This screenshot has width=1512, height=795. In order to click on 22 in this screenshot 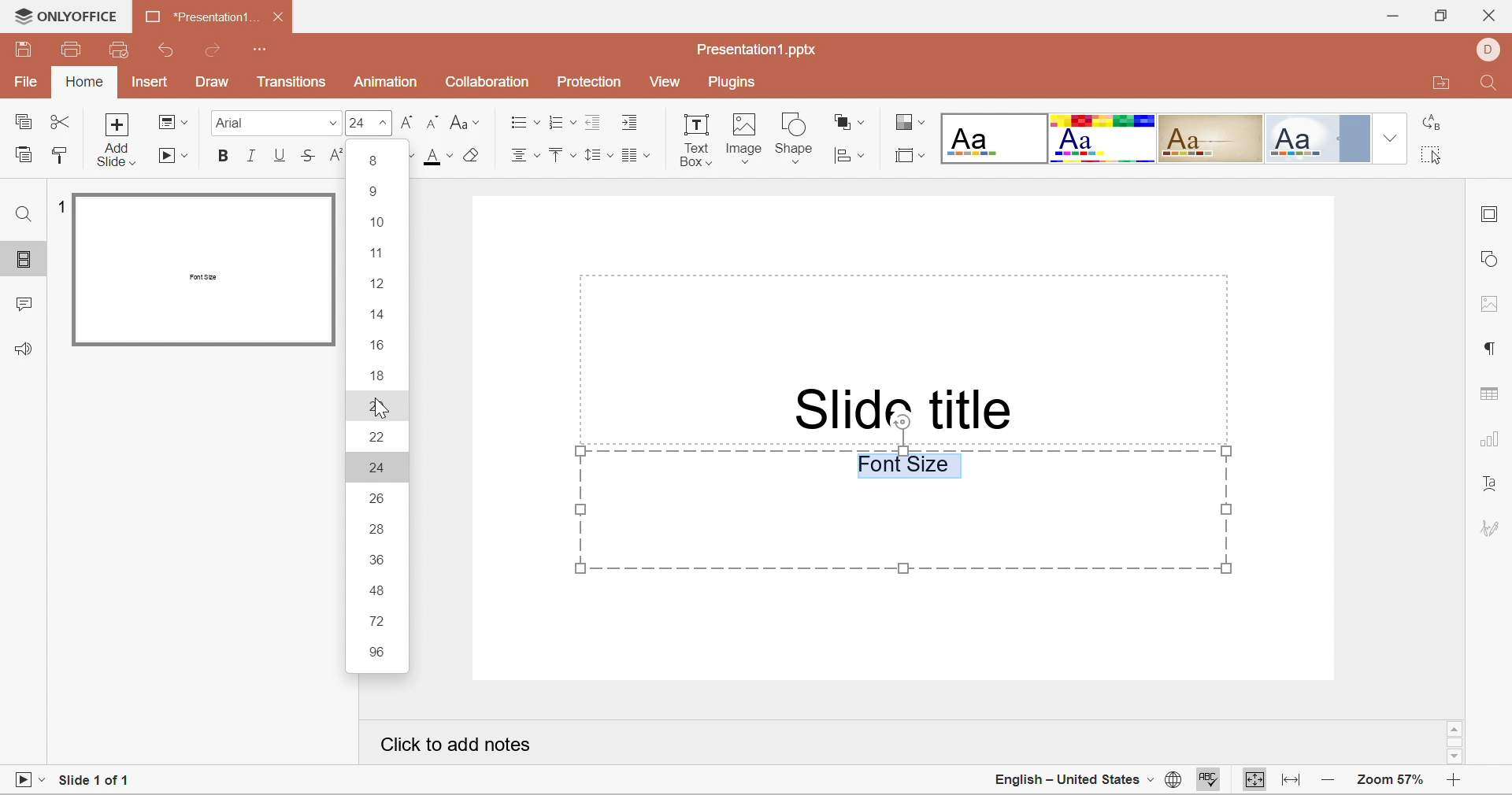, I will do `click(380, 436)`.